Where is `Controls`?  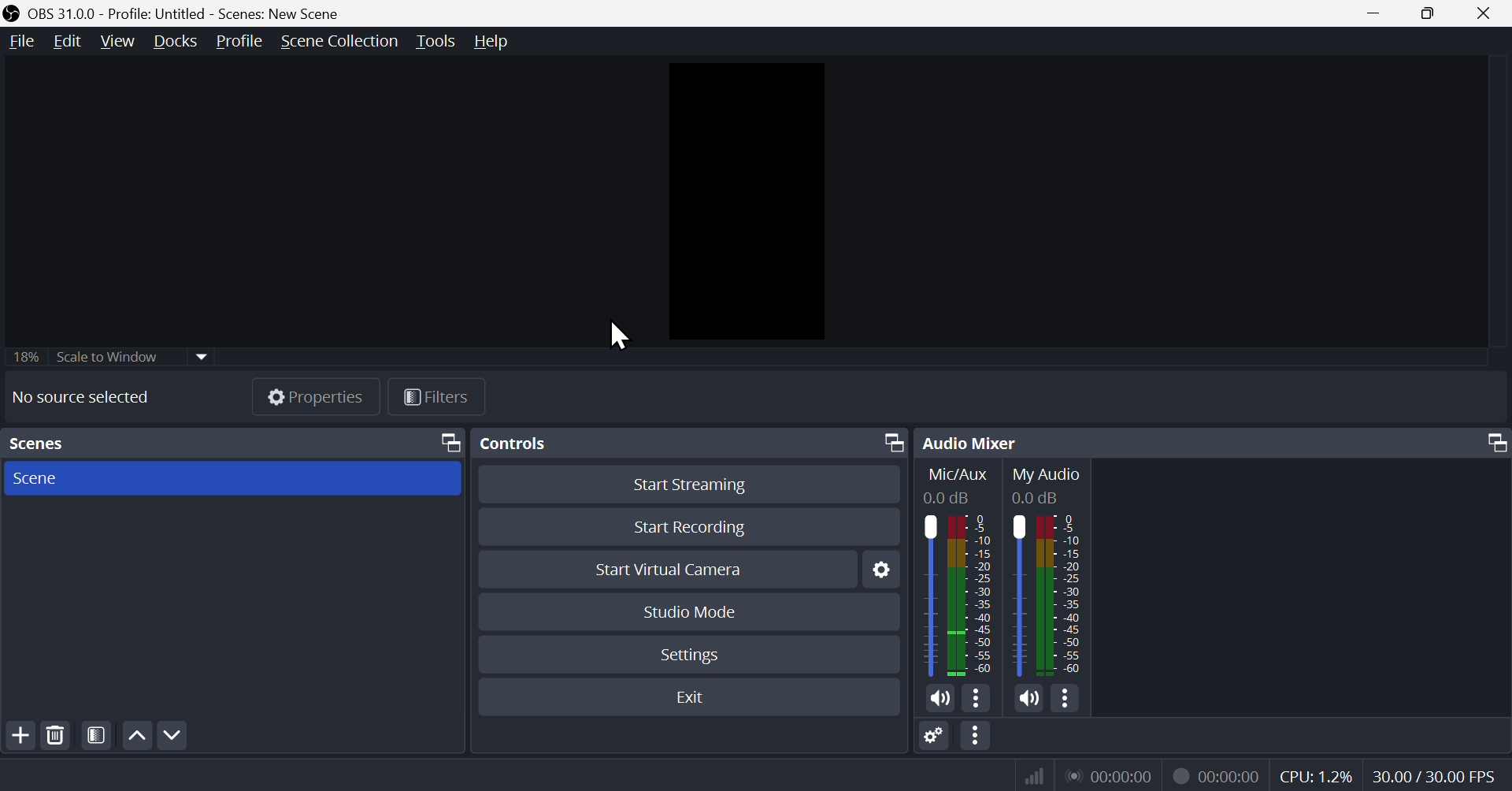
Controls is located at coordinates (534, 444).